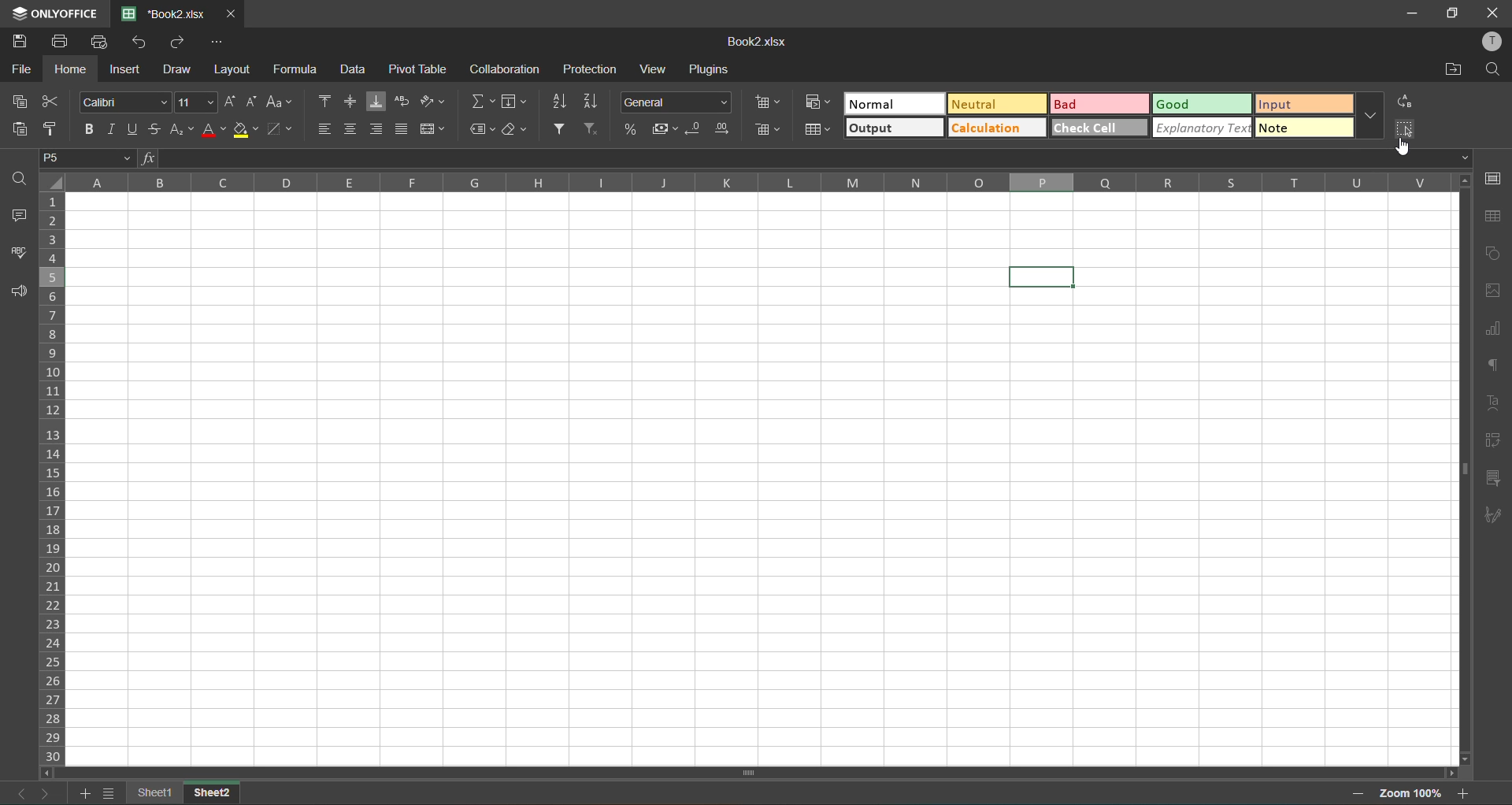  I want to click on spellcheck, so click(18, 255).